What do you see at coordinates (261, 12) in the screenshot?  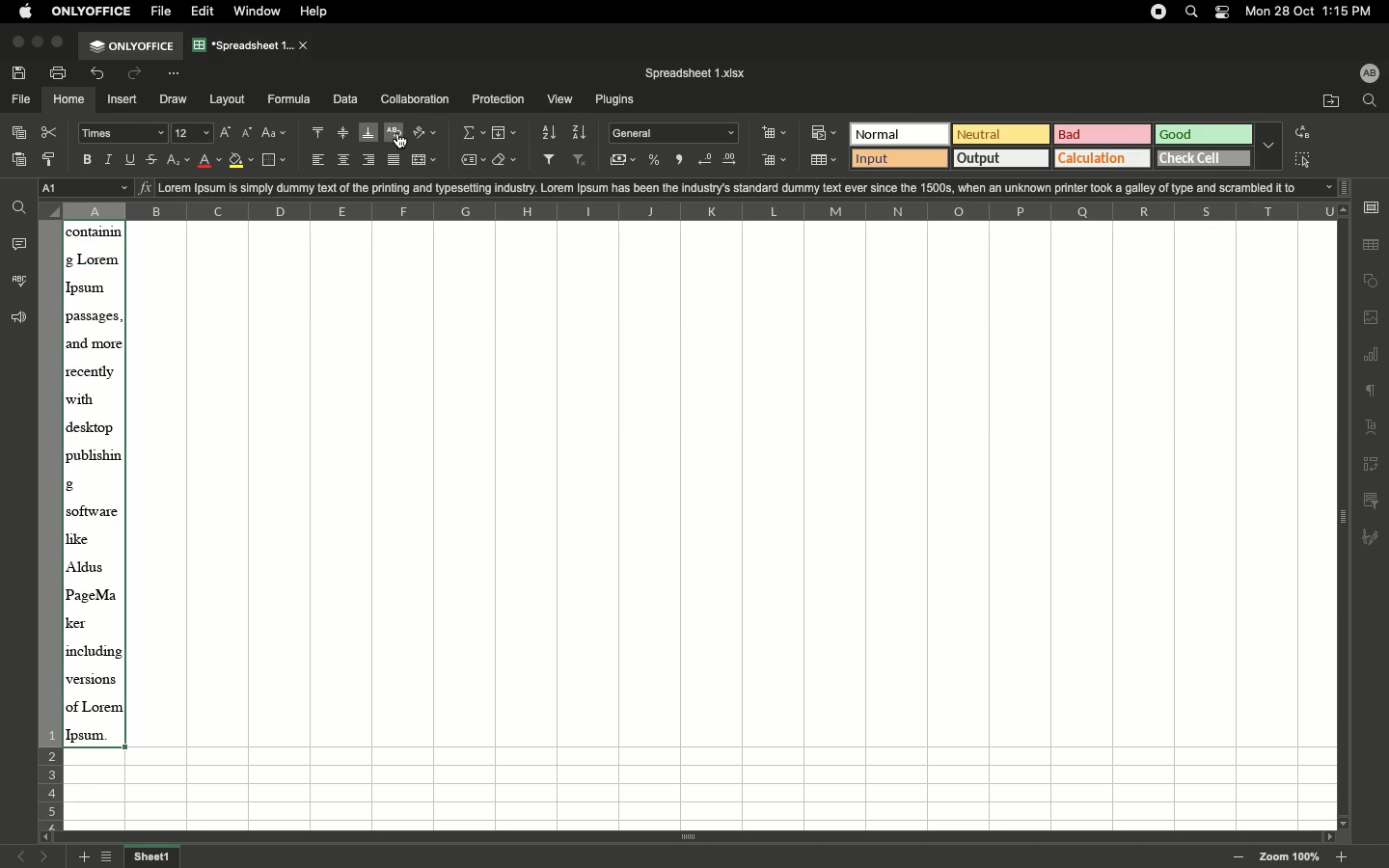 I see `Window` at bounding box center [261, 12].